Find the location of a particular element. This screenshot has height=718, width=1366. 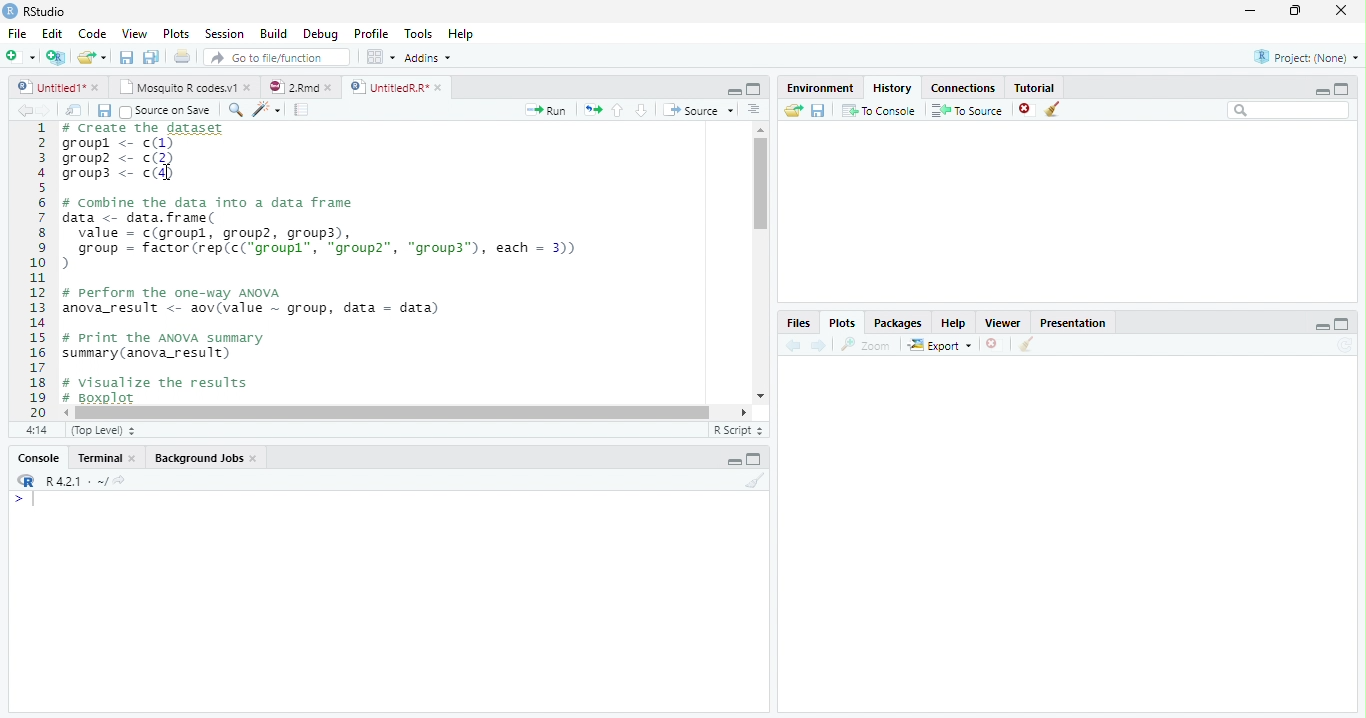

Next is located at coordinates (52, 111).